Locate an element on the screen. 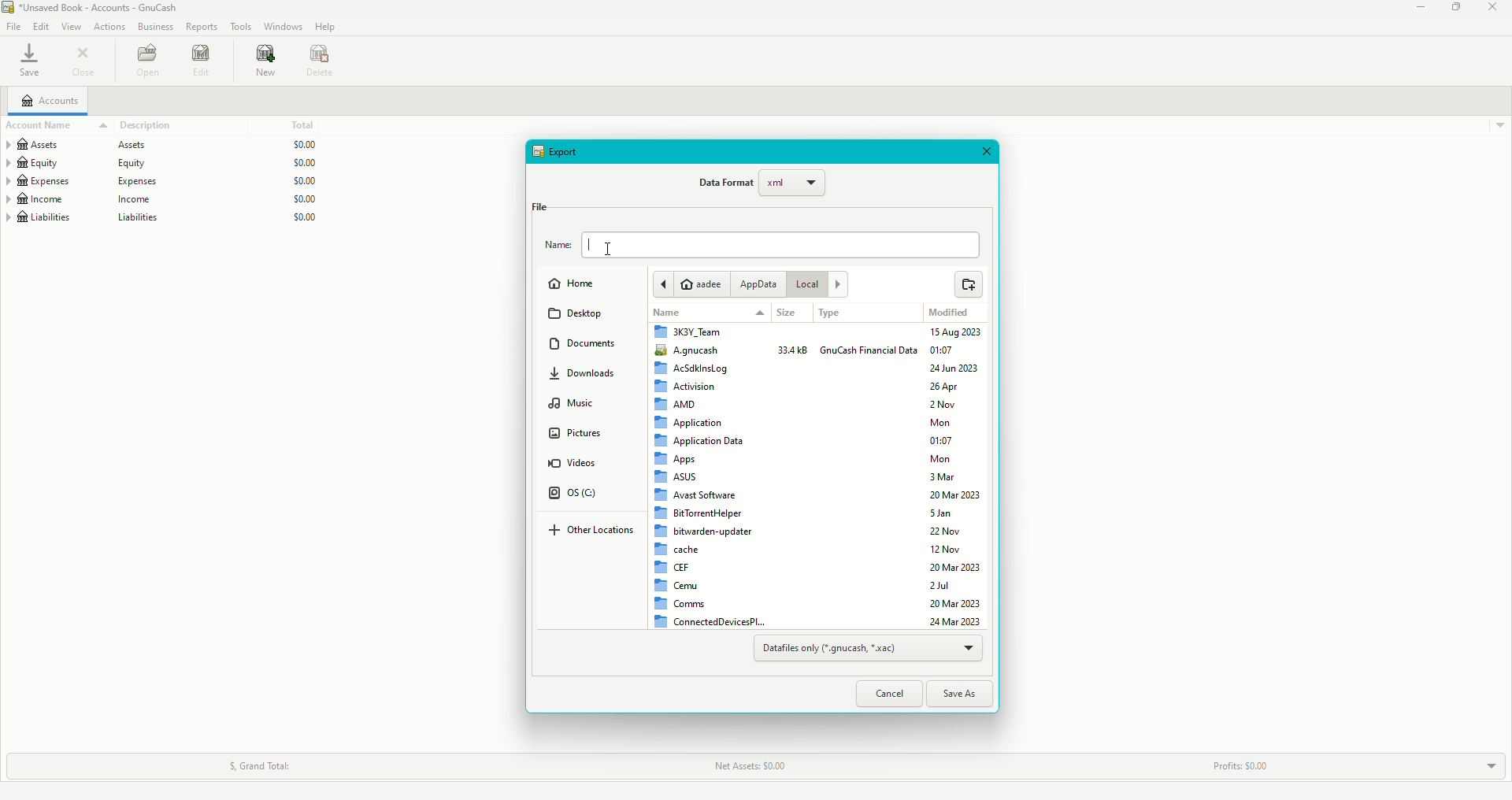 The height and width of the screenshot is (800, 1512). Datafiles only is located at coordinates (867, 649).